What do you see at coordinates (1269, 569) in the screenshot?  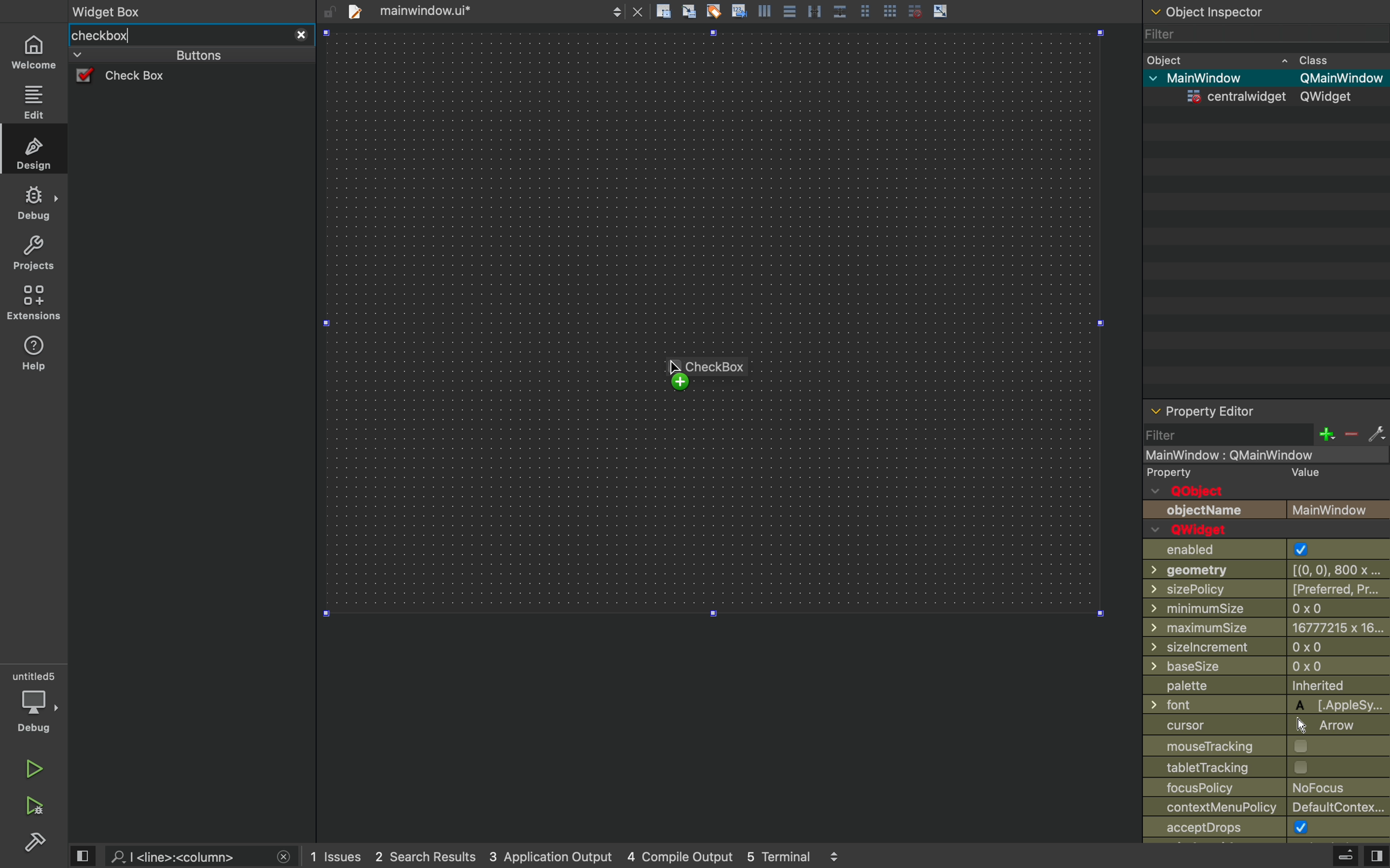 I see `geometry` at bounding box center [1269, 569].